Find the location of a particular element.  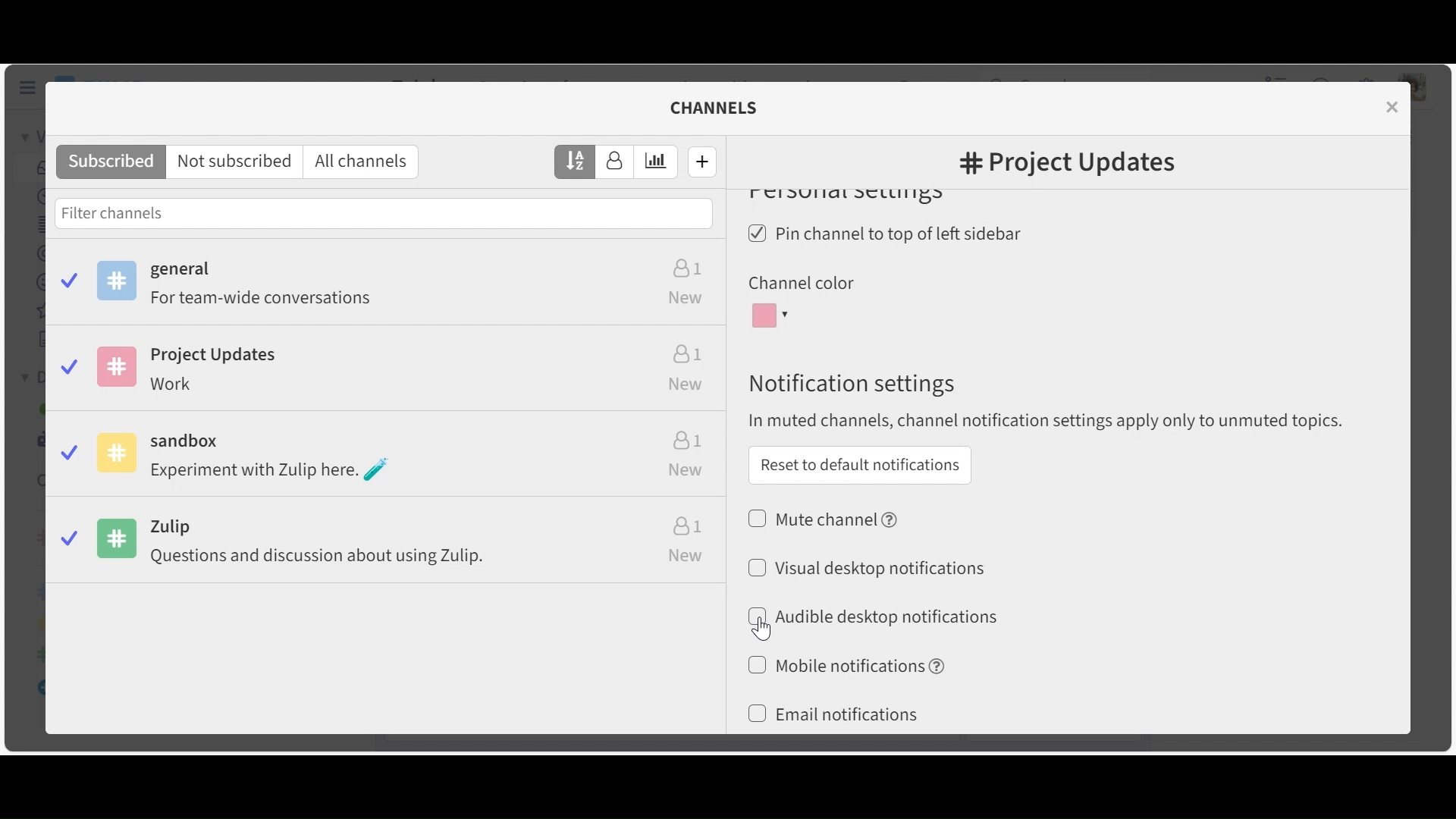

Channel color dropdown menu is located at coordinates (773, 316).